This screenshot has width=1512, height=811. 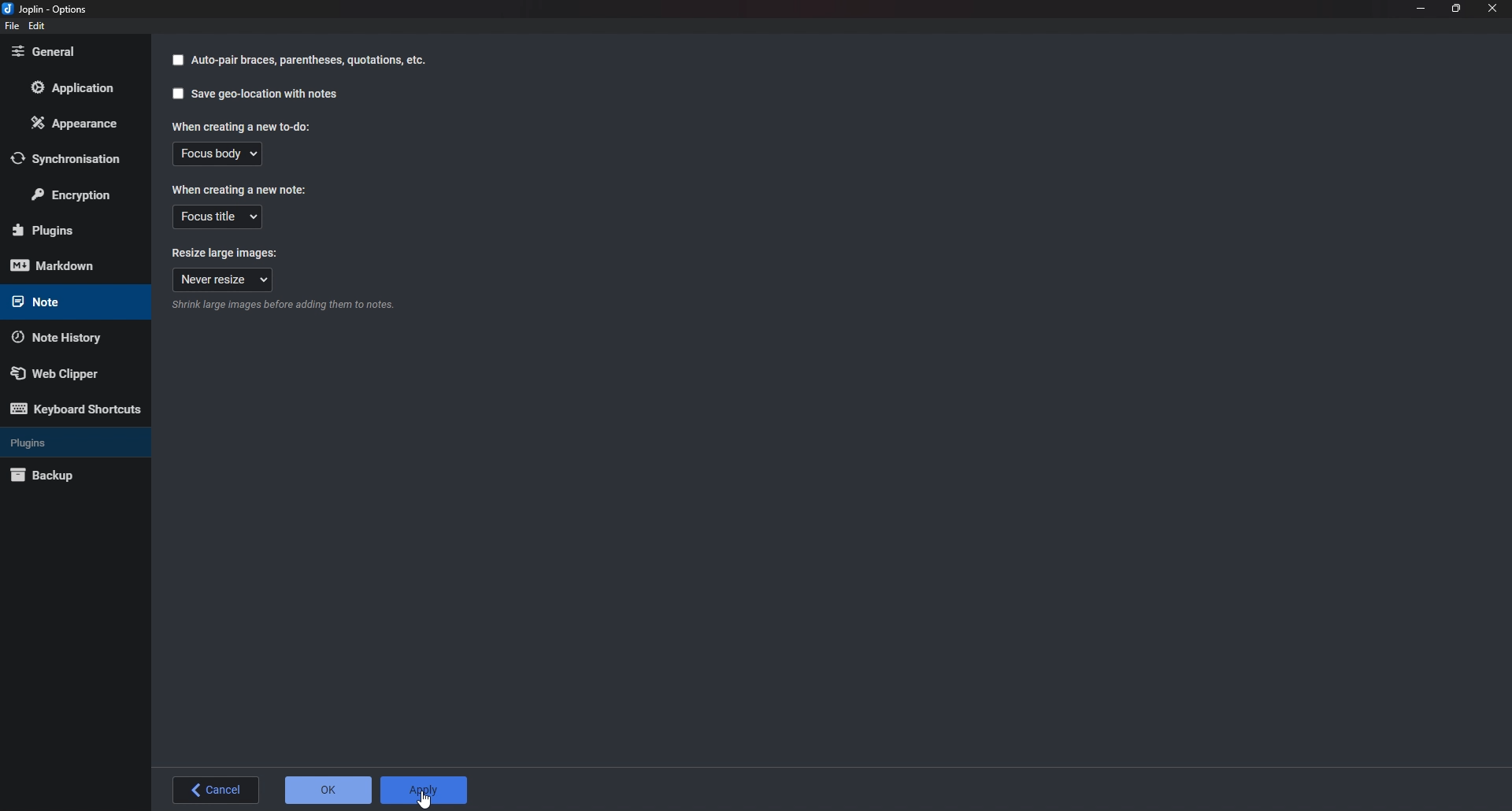 I want to click on Web Clipper, so click(x=69, y=372).